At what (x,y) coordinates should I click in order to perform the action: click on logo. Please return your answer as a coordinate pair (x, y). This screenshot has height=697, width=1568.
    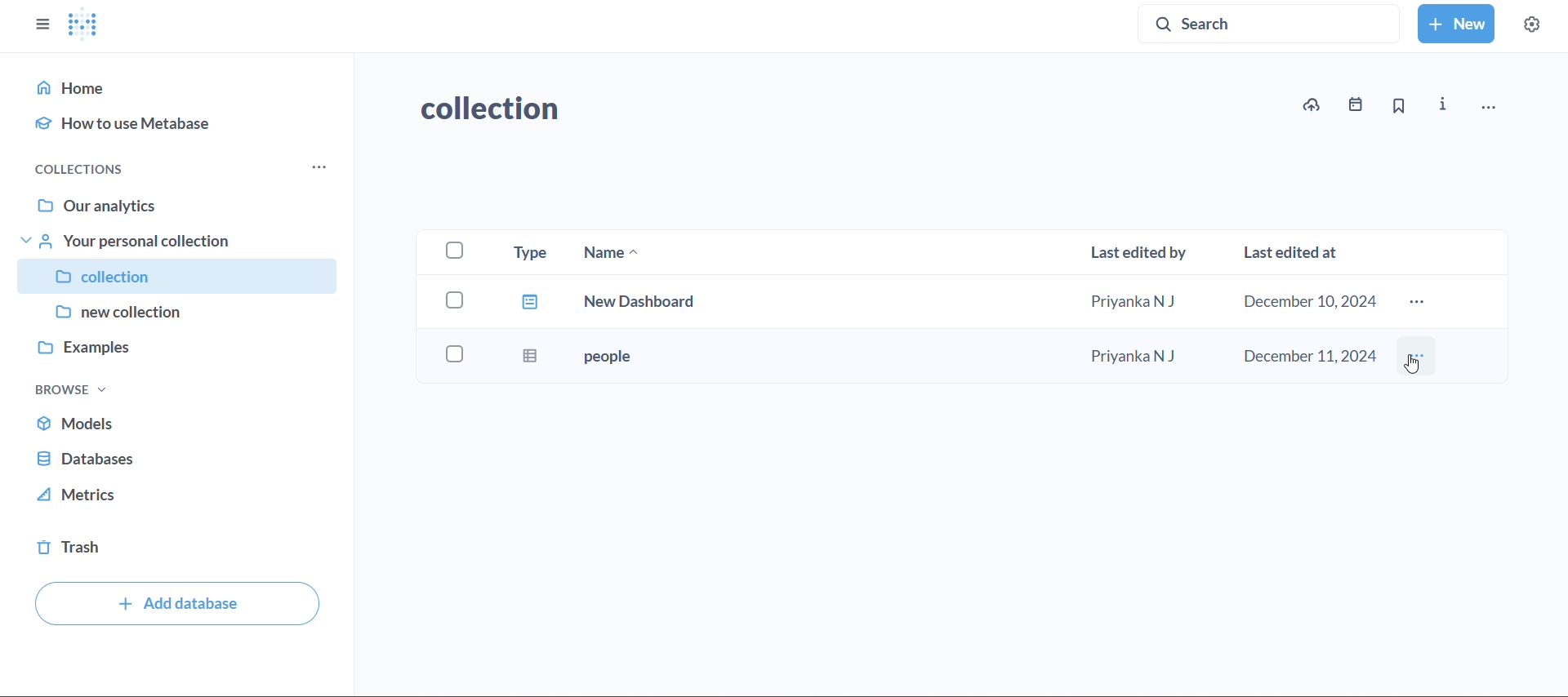
    Looking at the image, I should click on (83, 26).